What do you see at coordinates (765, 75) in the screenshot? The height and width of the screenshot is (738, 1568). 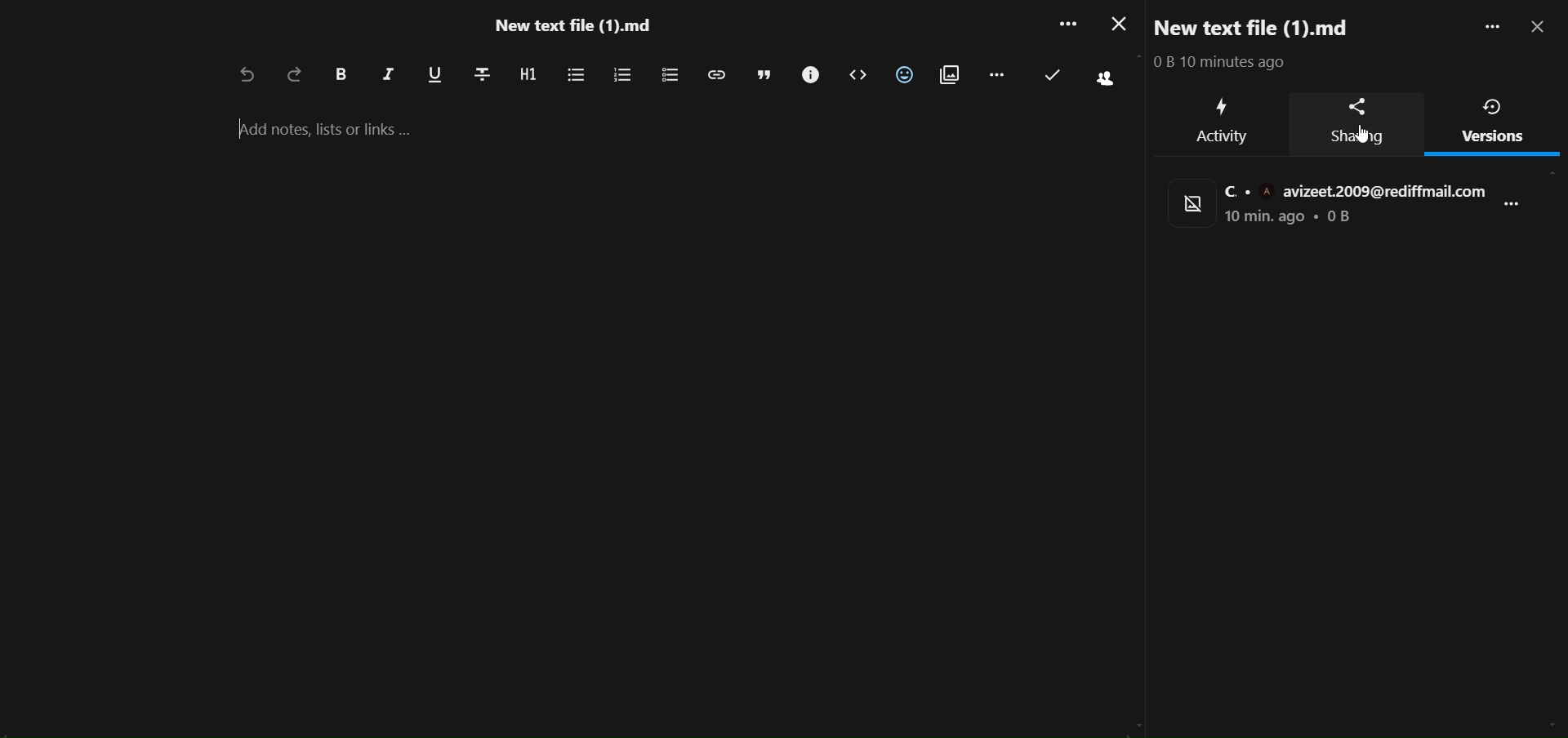 I see `block quote` at bounding box center [765, 75].